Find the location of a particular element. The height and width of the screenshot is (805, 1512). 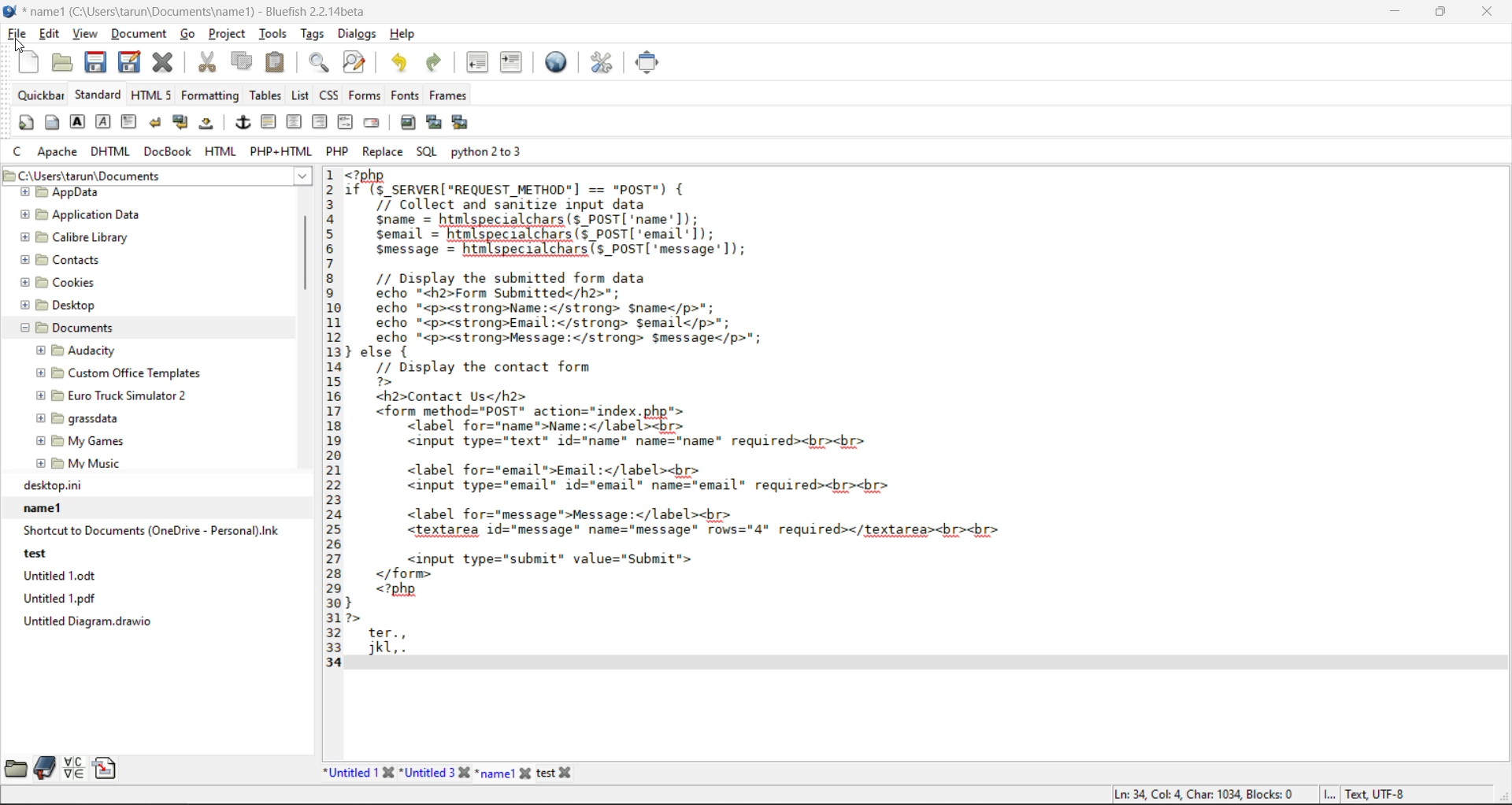

minimize is located at coordinates (1399, 15).